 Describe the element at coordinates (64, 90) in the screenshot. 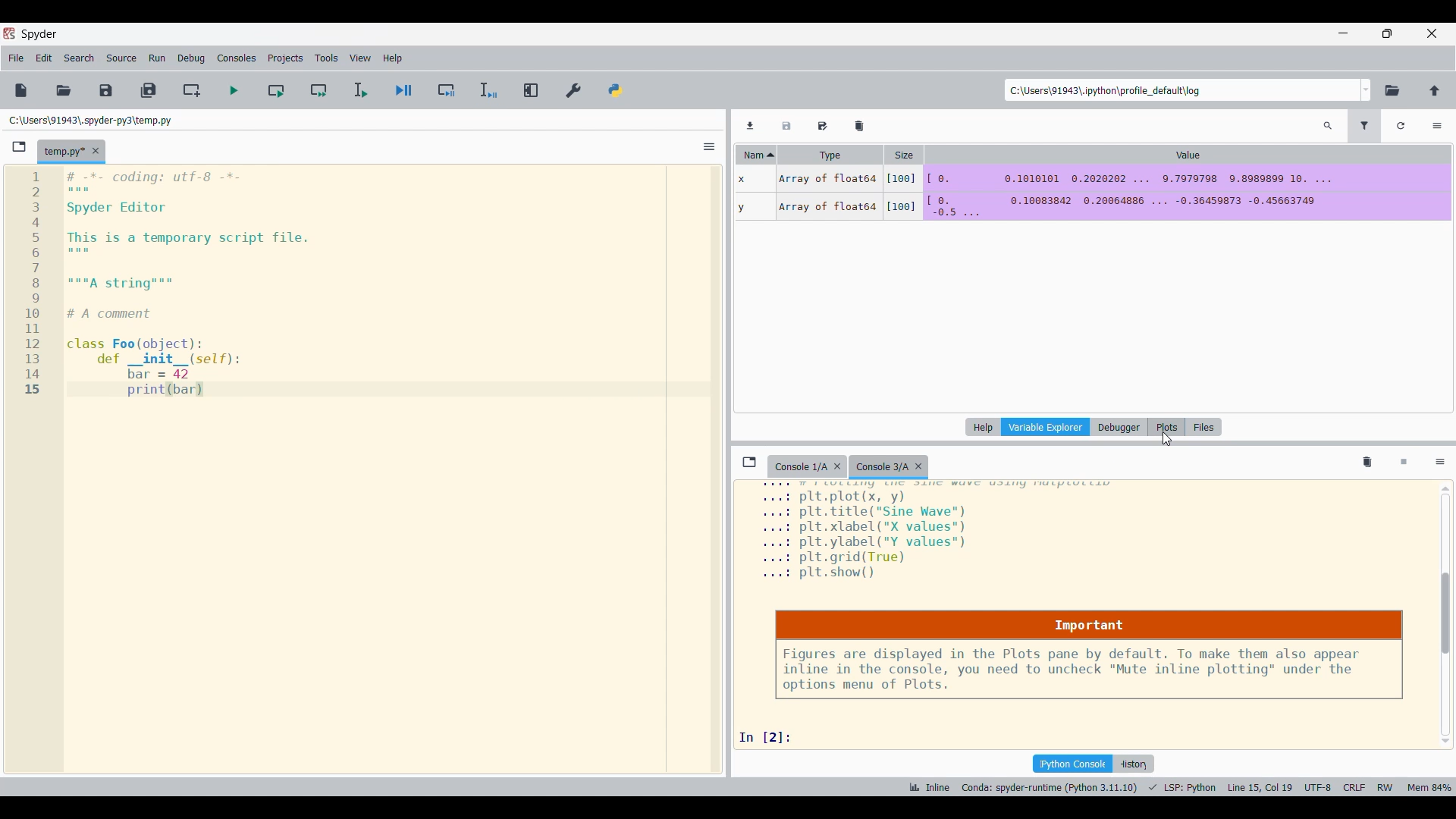

I see `Open file` at that location.